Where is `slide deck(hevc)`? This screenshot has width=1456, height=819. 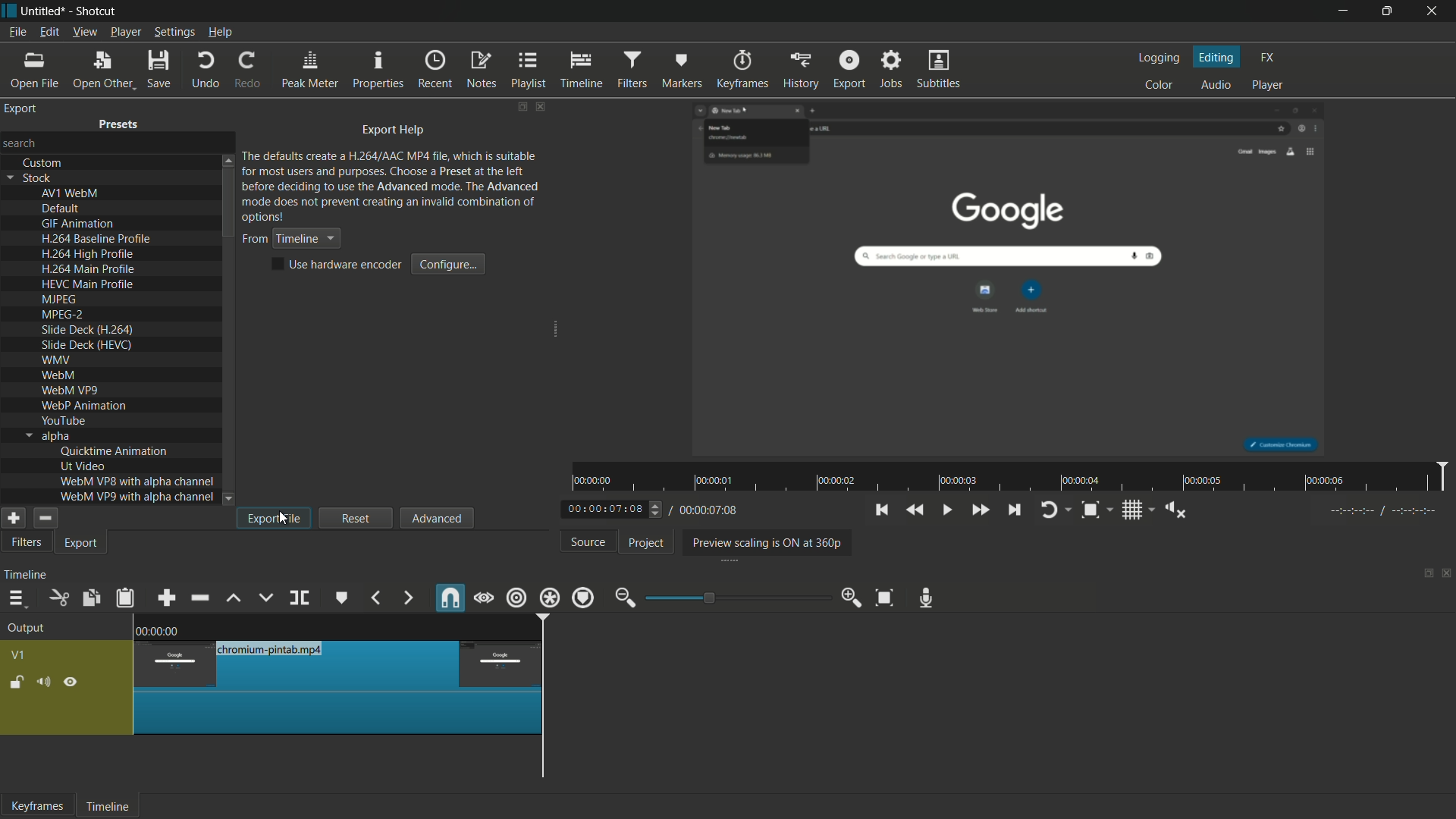
slide deck(hevc) is located at coordinates (88, 344).